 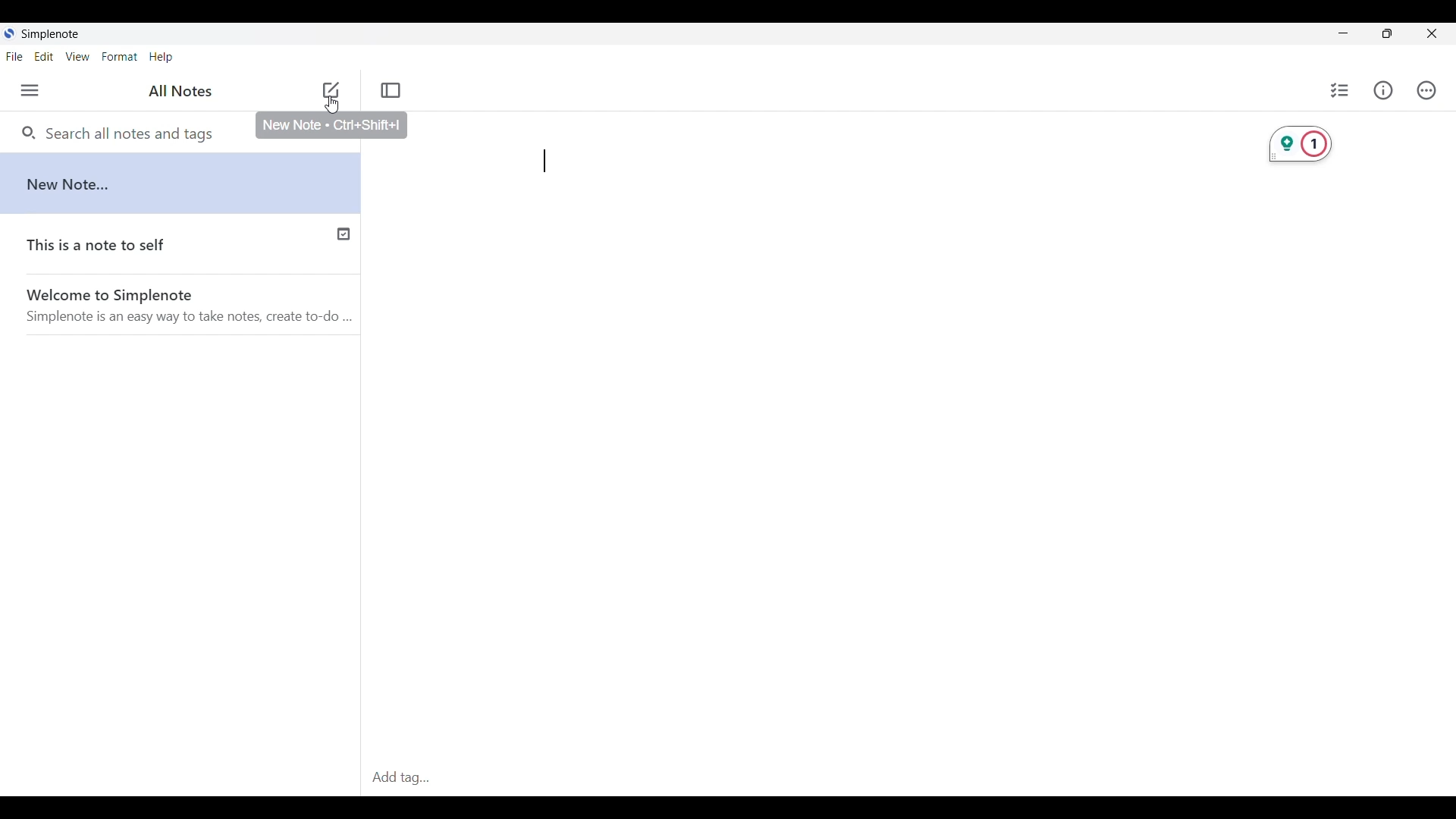 What do you see at coordinates (331, 129) in the screenshot?
I see `New Note + Ctrl+Shift+I(Description of icon selected)` at bounding box center [331, 129].